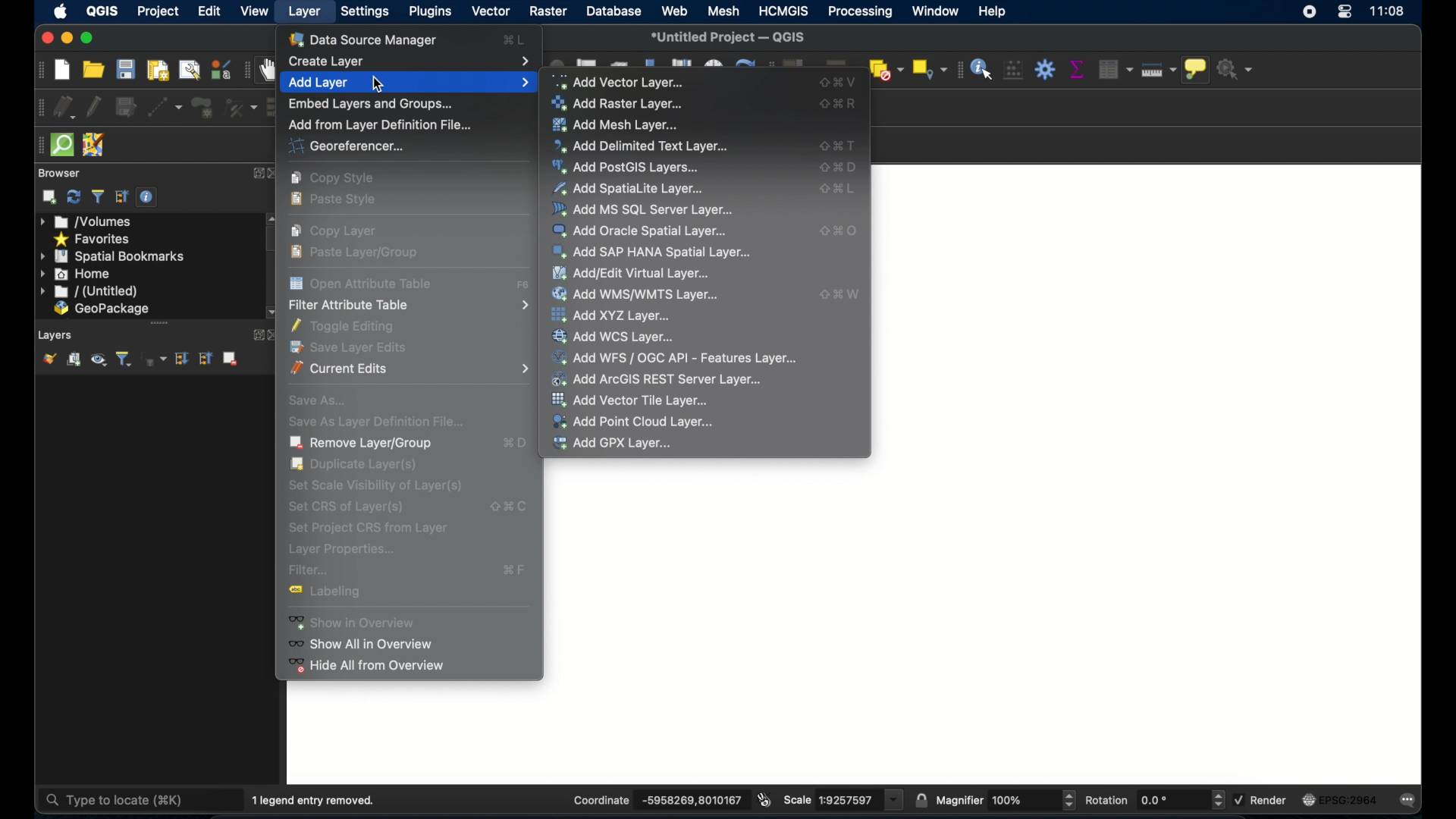  What do you see at coordinates (258, 173) in the screenshot?
I see `expand` at bounding box center [258, 173].